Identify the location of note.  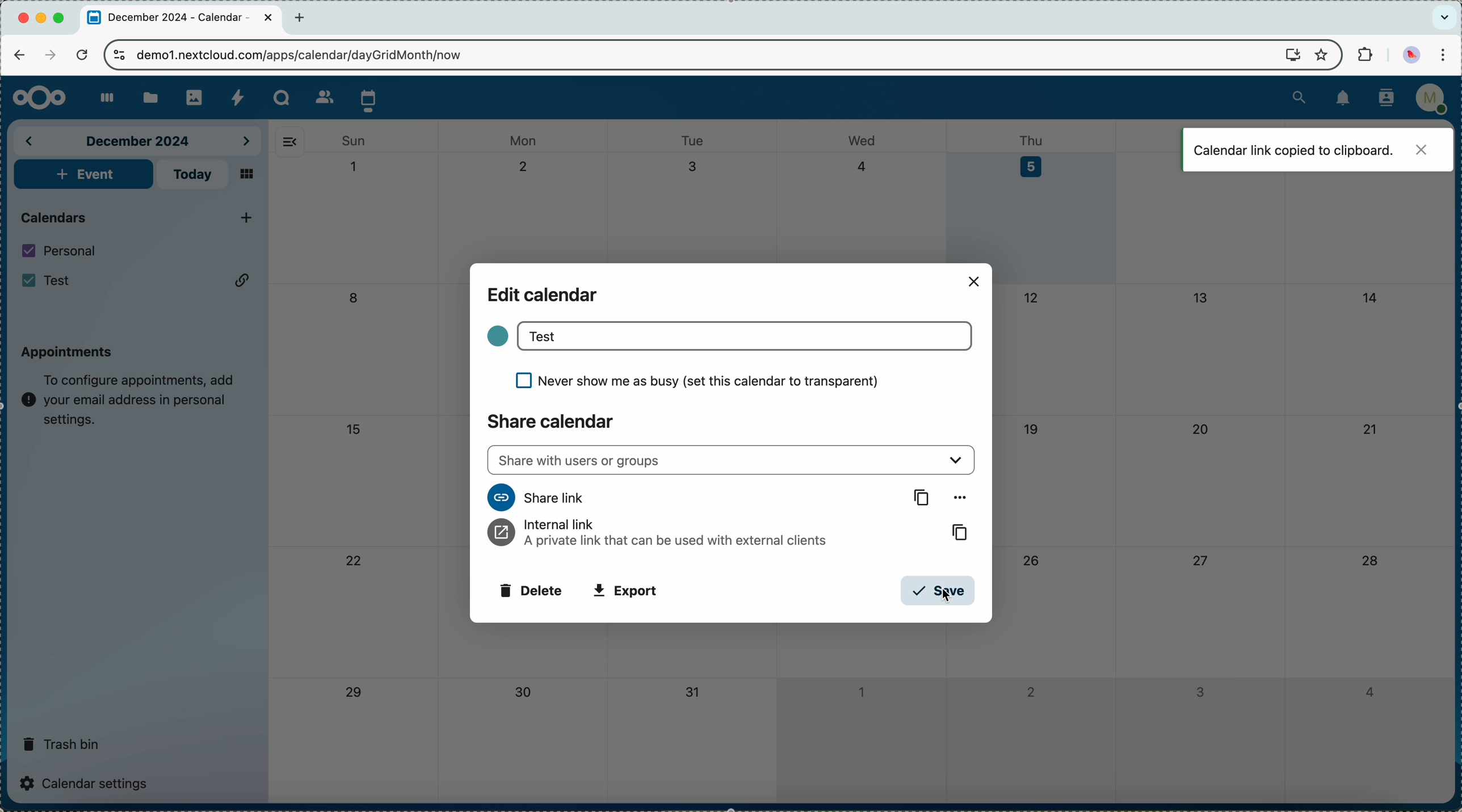
(129, 396).